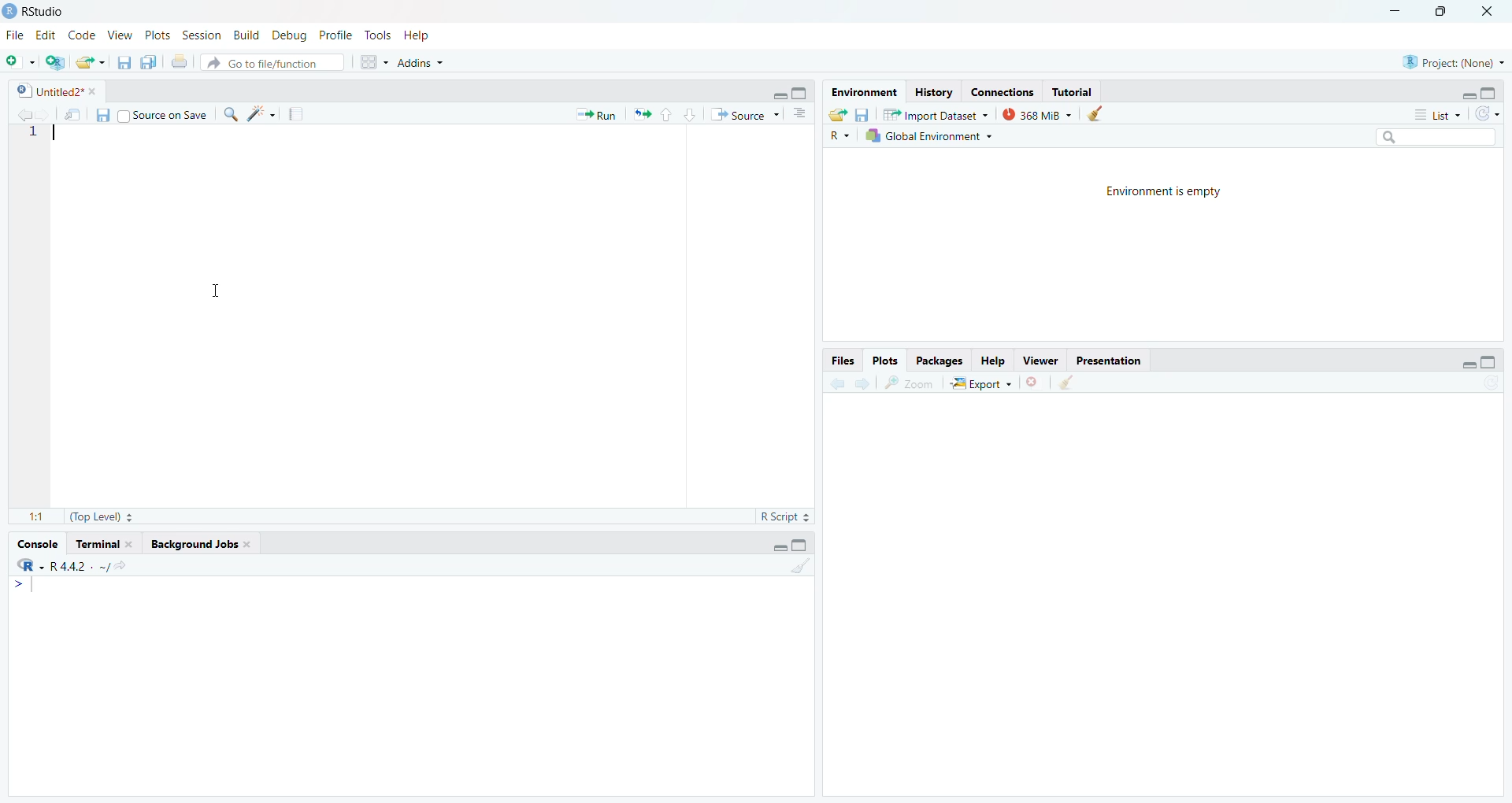 The width and height of the screenshot is (1512, 803). Describe the element at coordinates (1166, 192) in the screenshot. I see `Environment is empty` at that location.